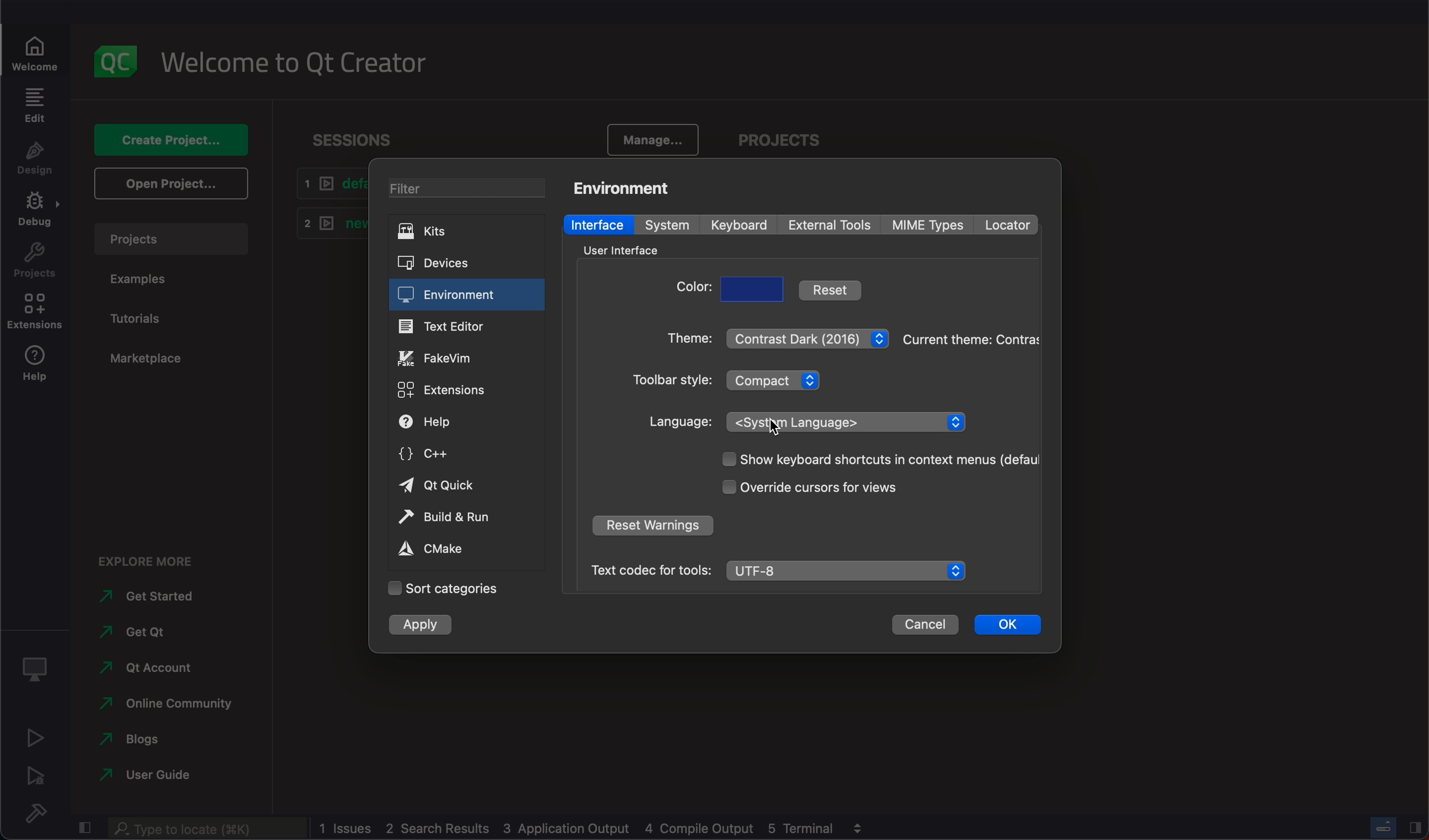  What do you see at coordinates (467, 188) in the screenshot?
I see `filter` at bounding box center [467, 188].